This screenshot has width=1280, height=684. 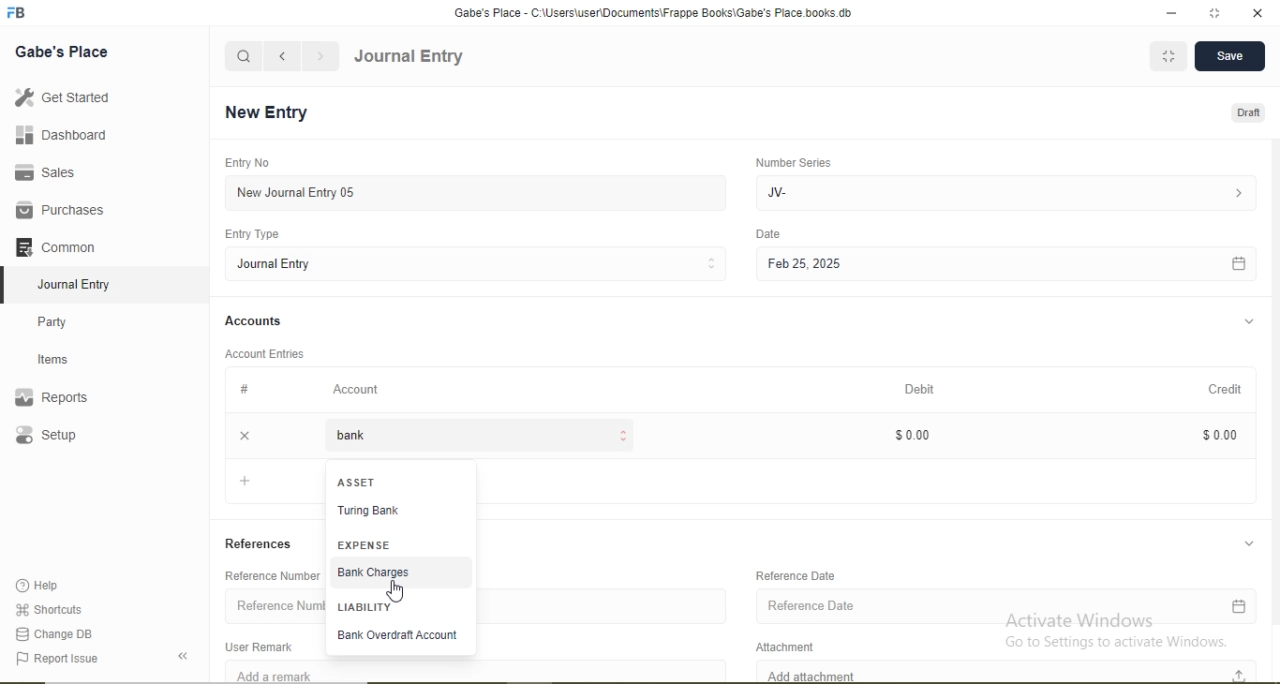 I want to click on Account Entries, so click(x=263, y=352).